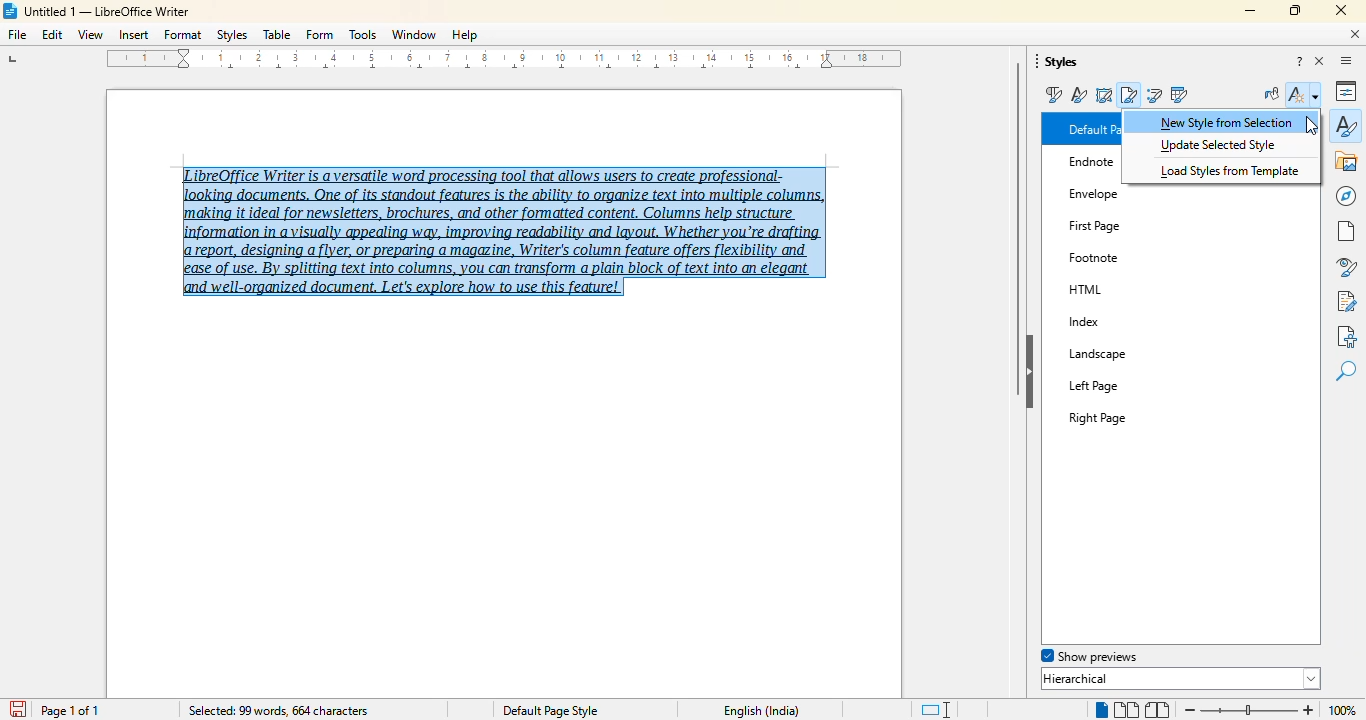 This screenshot has width=1366, height=720. Describe the element at coordinates (1346, 125) in the screenshot. I see `styles` at that location.